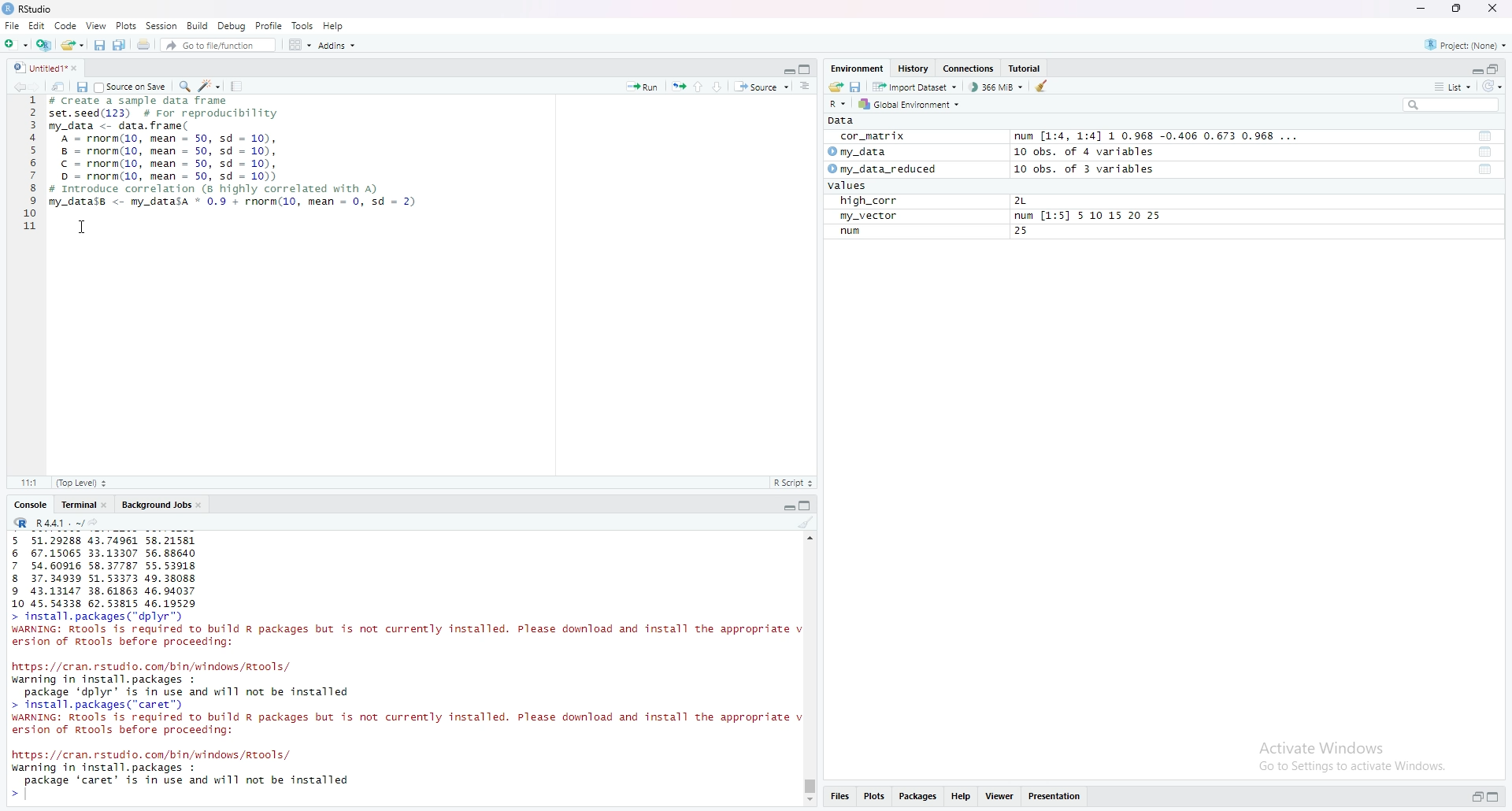 The image size is (1512, 811). Describe the element at coordinates (1492, 87) in the screenshot. I see `reload` at that location.